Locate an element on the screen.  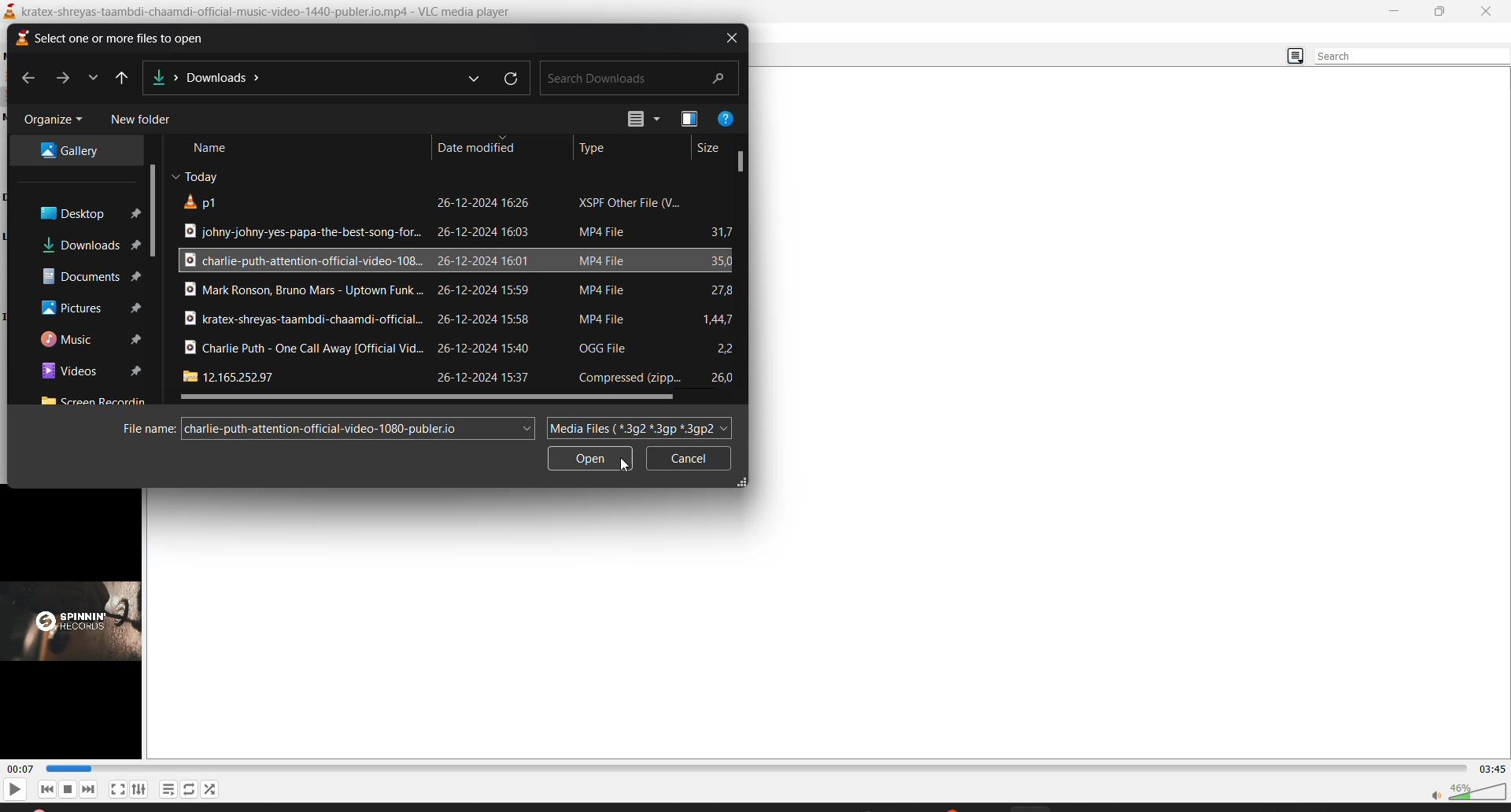
playlist is located at coordinates (166, 792).